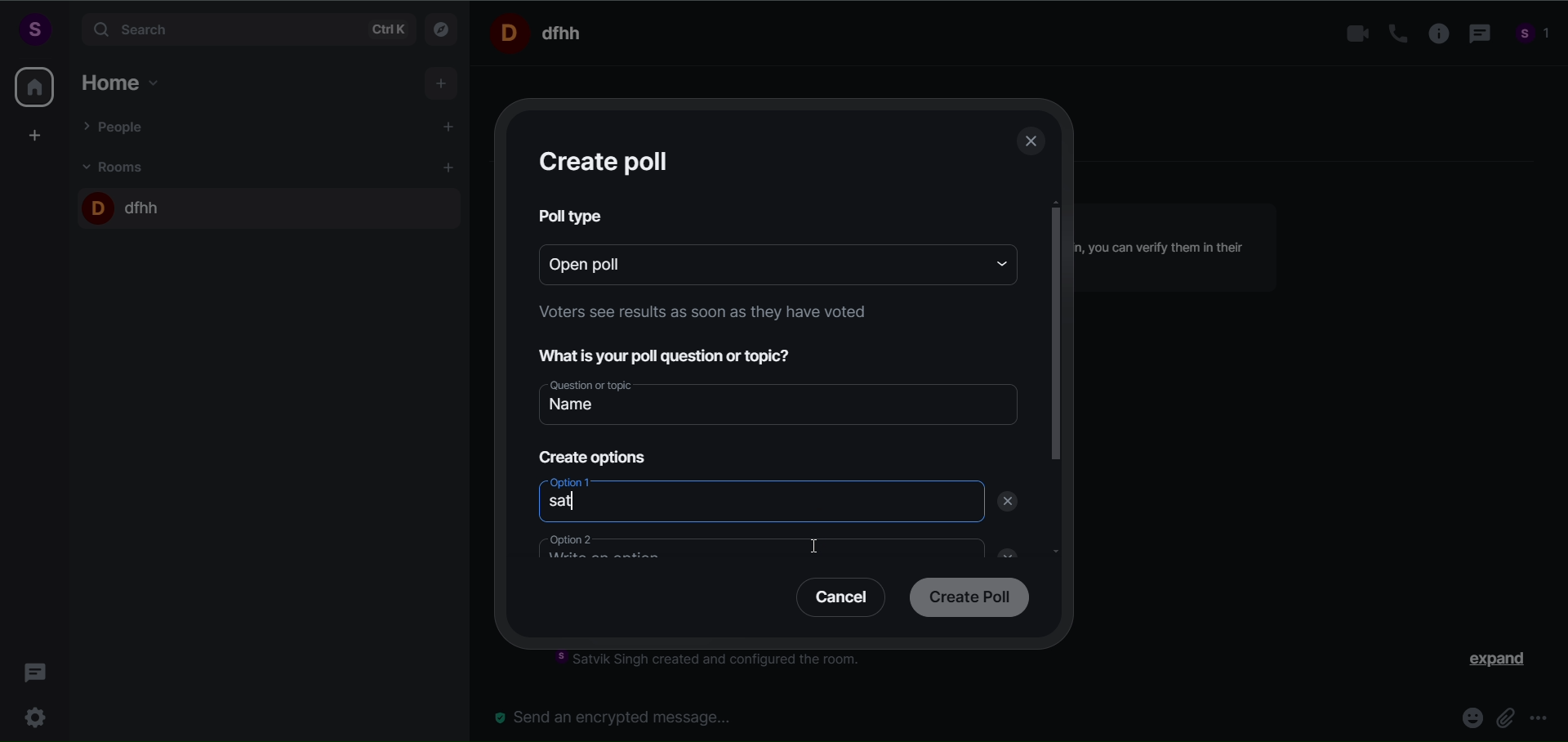 The image size is (1568, 742). I want to click on create options, so click(590, 454).